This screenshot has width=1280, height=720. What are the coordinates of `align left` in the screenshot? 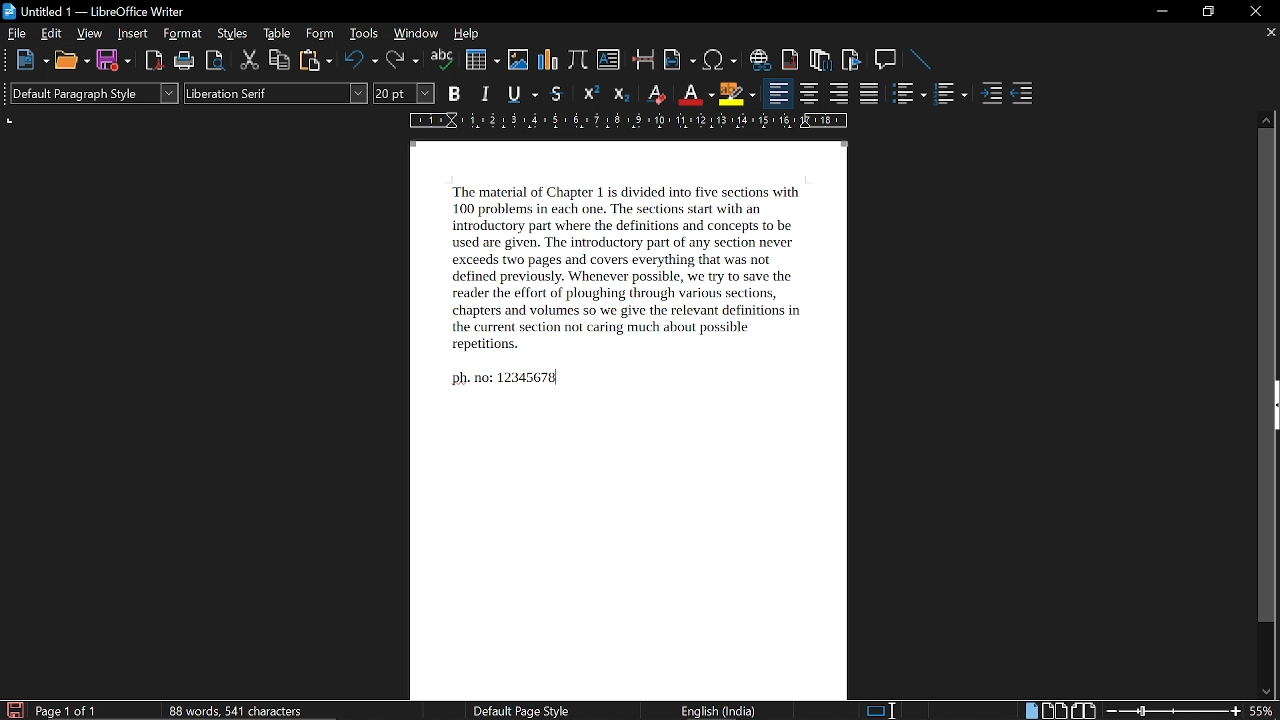 It's located at (777, 95).